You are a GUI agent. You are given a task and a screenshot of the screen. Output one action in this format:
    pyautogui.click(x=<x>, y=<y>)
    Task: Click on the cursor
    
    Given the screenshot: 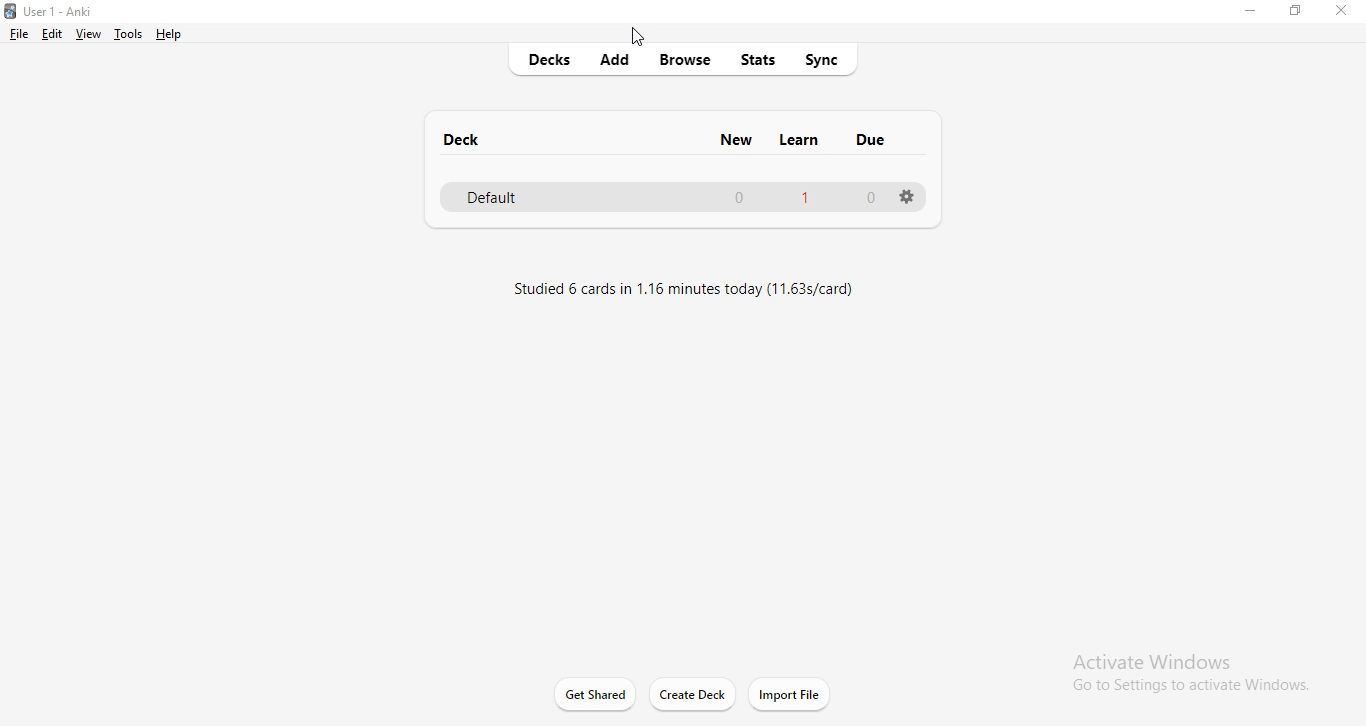 What is the action you would take?
    pyautogui.click(x=646, y=37)
    